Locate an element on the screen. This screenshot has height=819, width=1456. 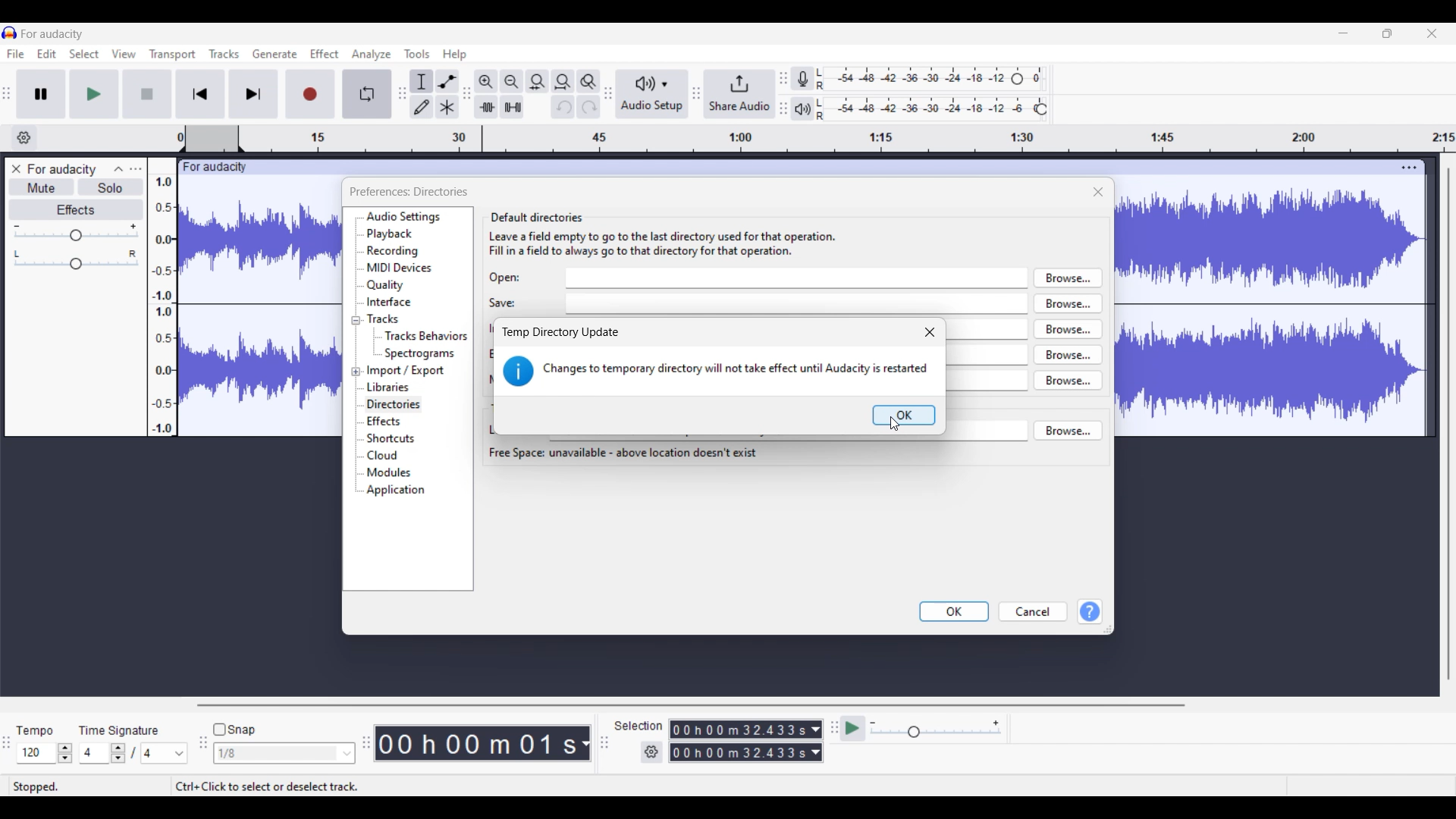
Cursor is located at coordinates (895, 425).